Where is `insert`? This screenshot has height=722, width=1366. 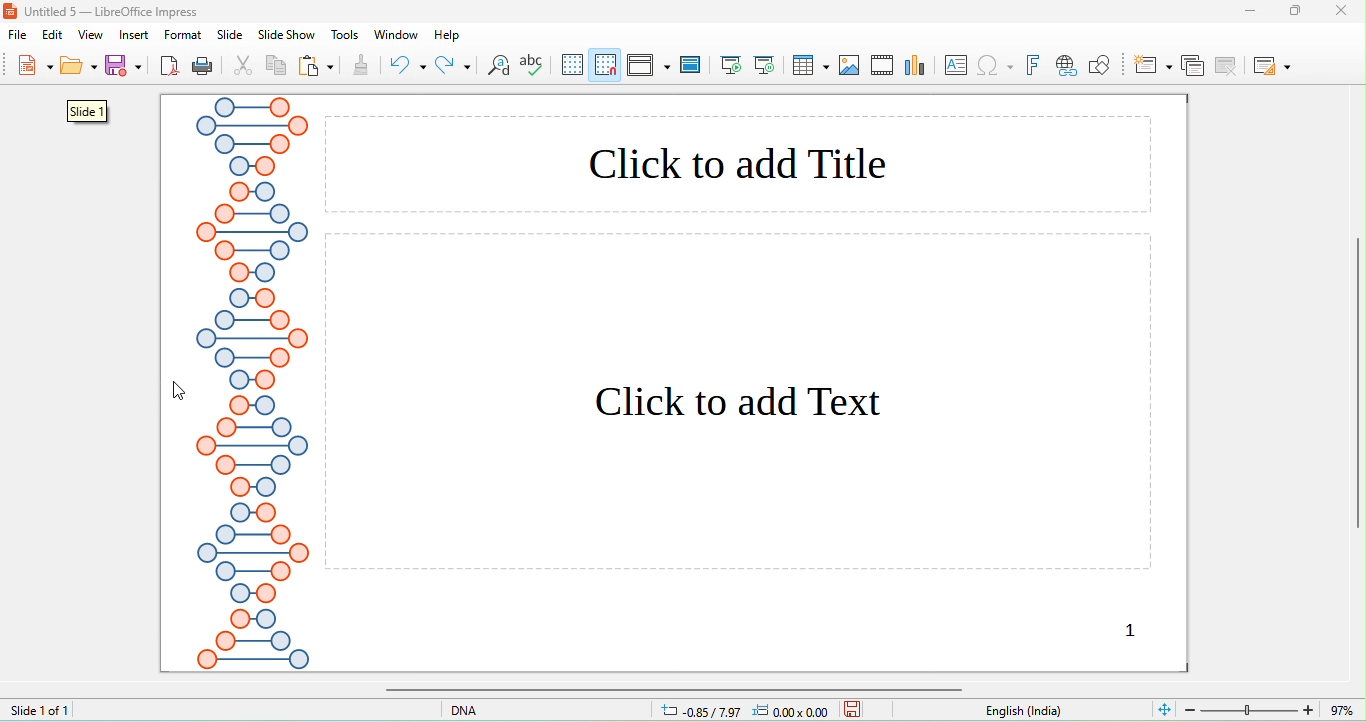 insert is located at coordinates (135, 35).